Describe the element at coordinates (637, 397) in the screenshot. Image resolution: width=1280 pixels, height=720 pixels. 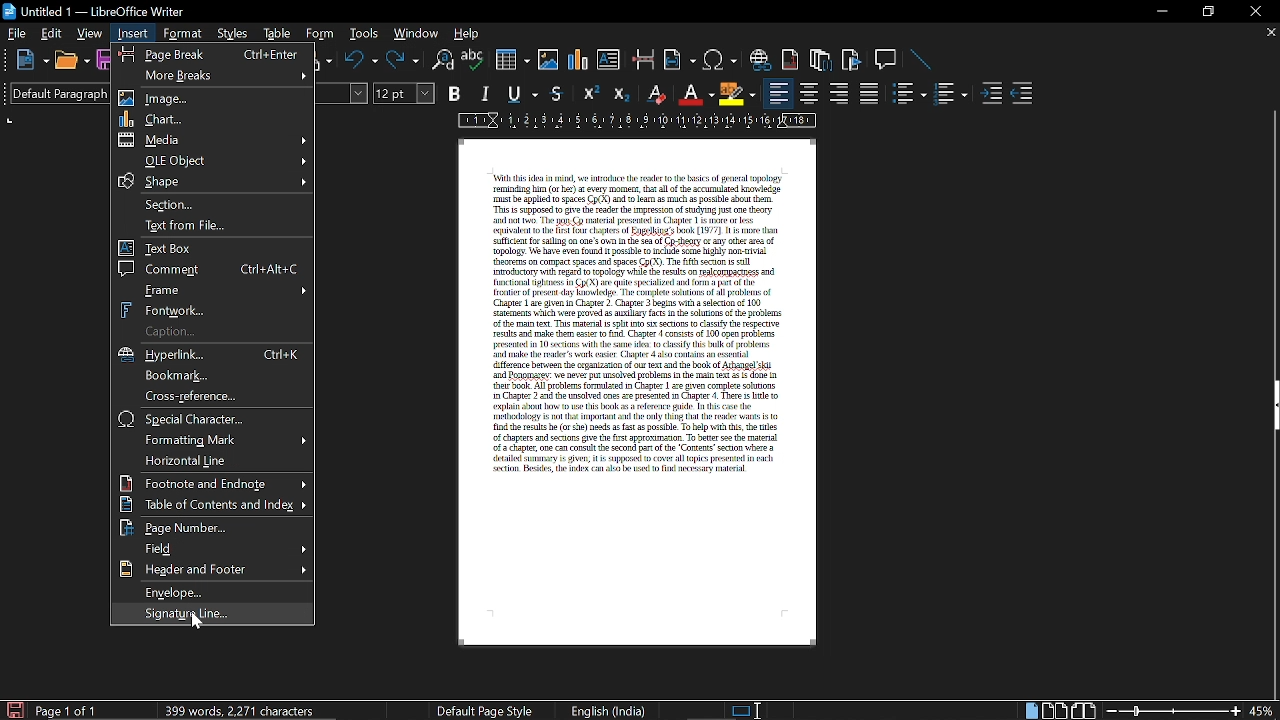
I see `Current page ` at that location.